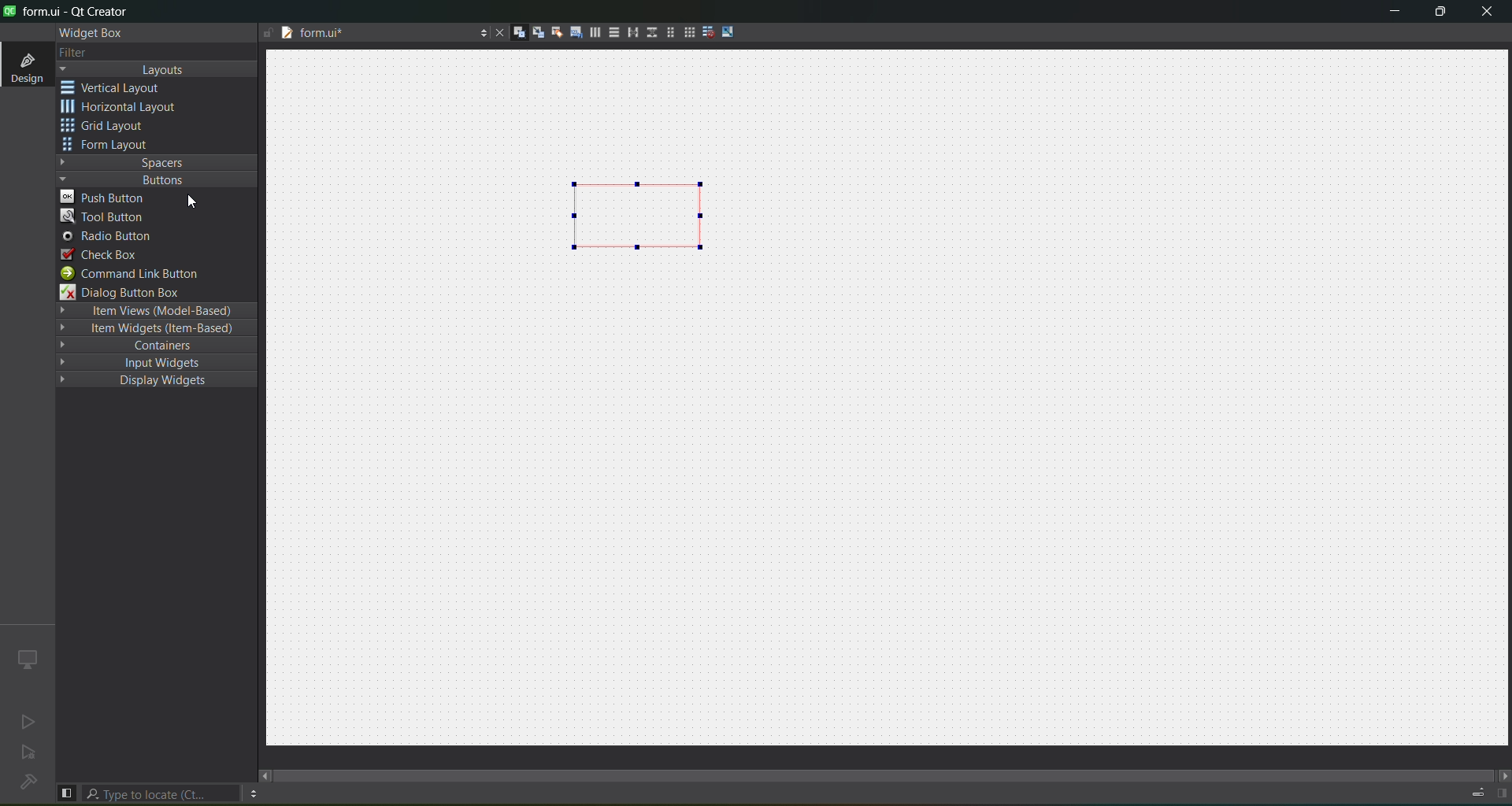 The width and height of the screenshot is (1512, 806). Describe the element at coordinates (25, 66) in the screenshot. I see `design` at that location.